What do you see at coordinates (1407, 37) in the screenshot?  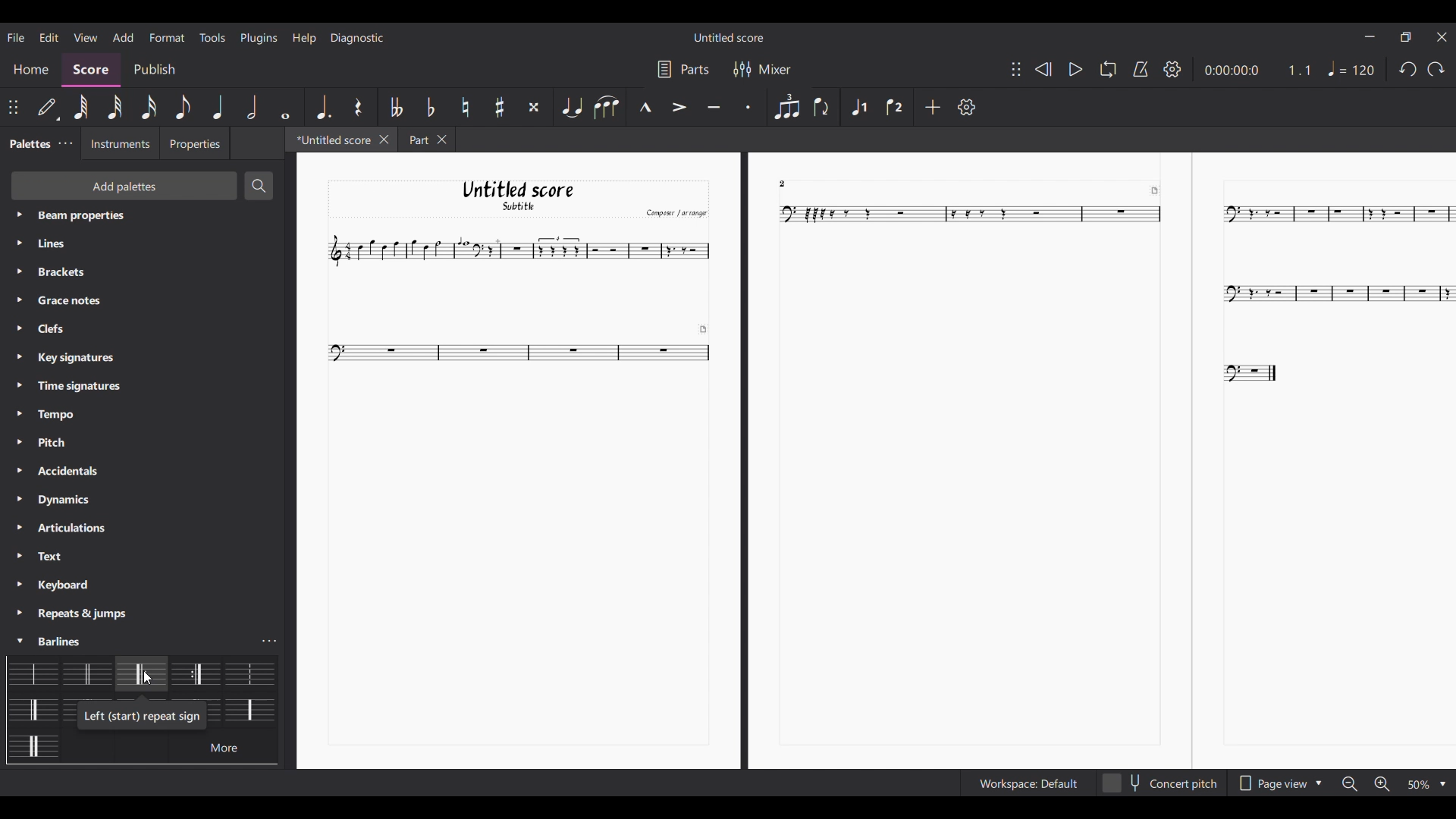 I see `Show in smaller tab` at bounding box center [1407, 37].